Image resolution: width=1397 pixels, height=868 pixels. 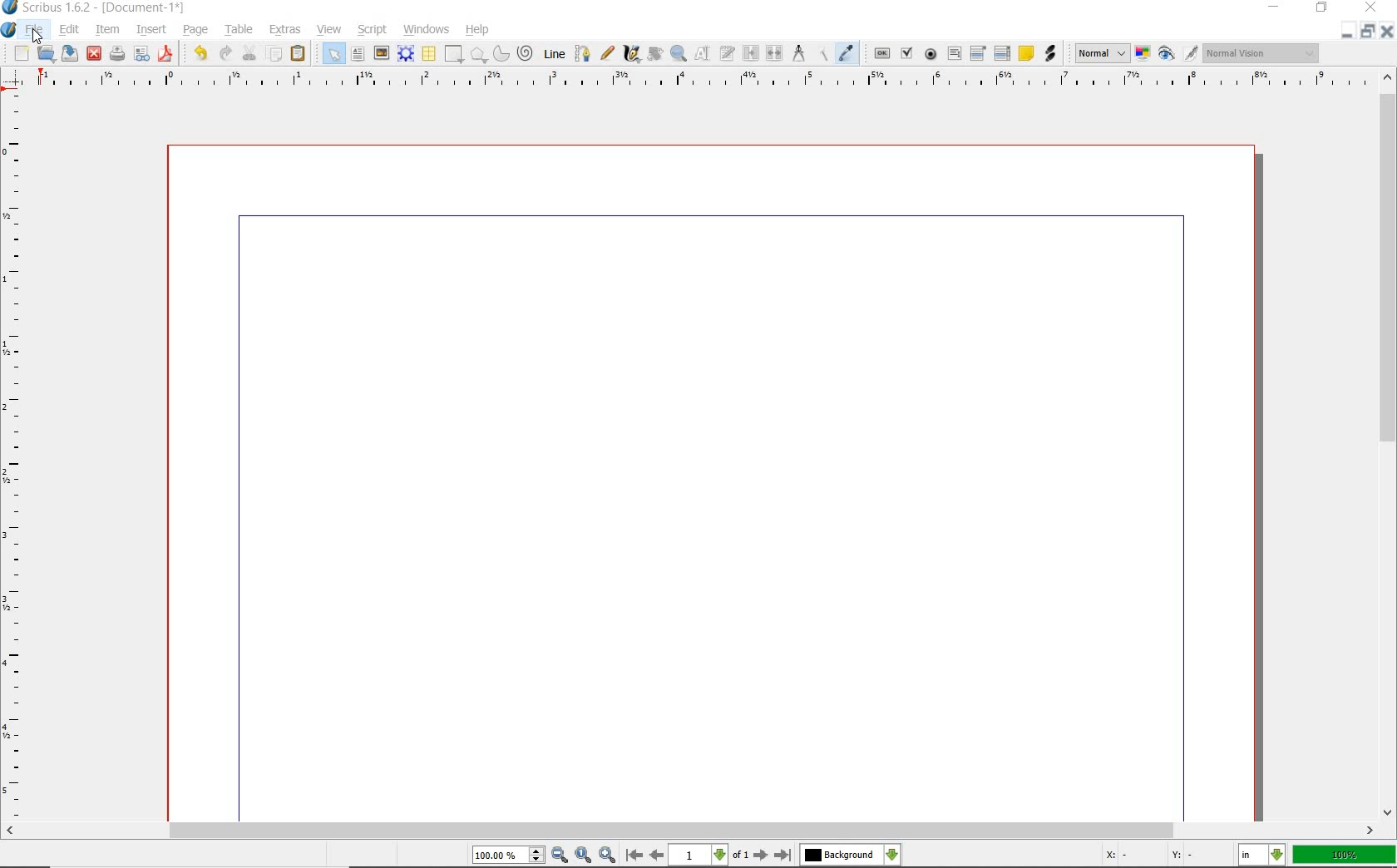 What do you see at coordinates (608, 53) in the screenshot?
I see `freehand line` at bounding box center [608, 53].